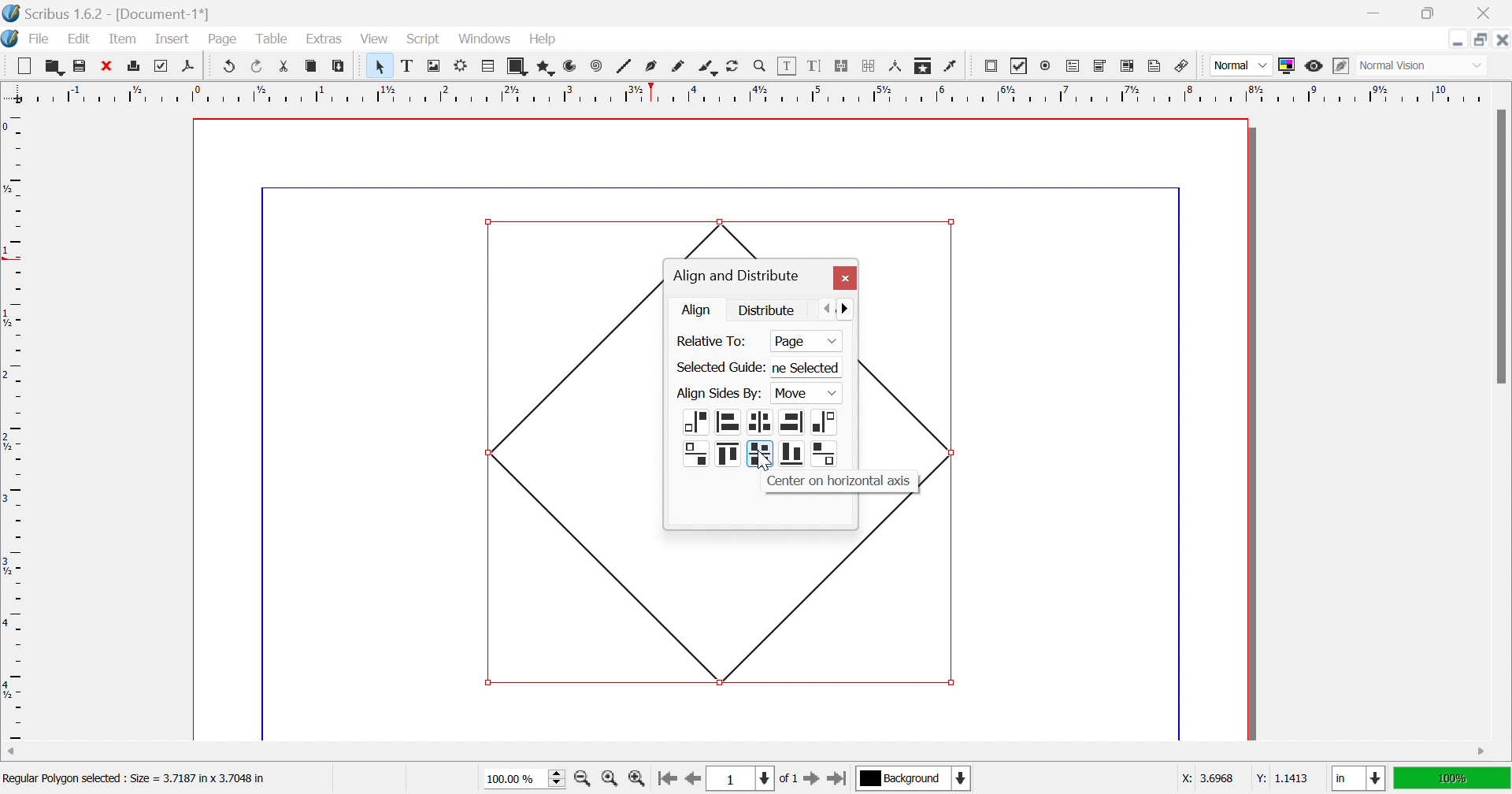 The height and width of the screenshot is (794, 1512). What do you see at coordinates (1210, 778) in the screenshot?
I see `x: 3.6968` at bounding box center [1210, 778].